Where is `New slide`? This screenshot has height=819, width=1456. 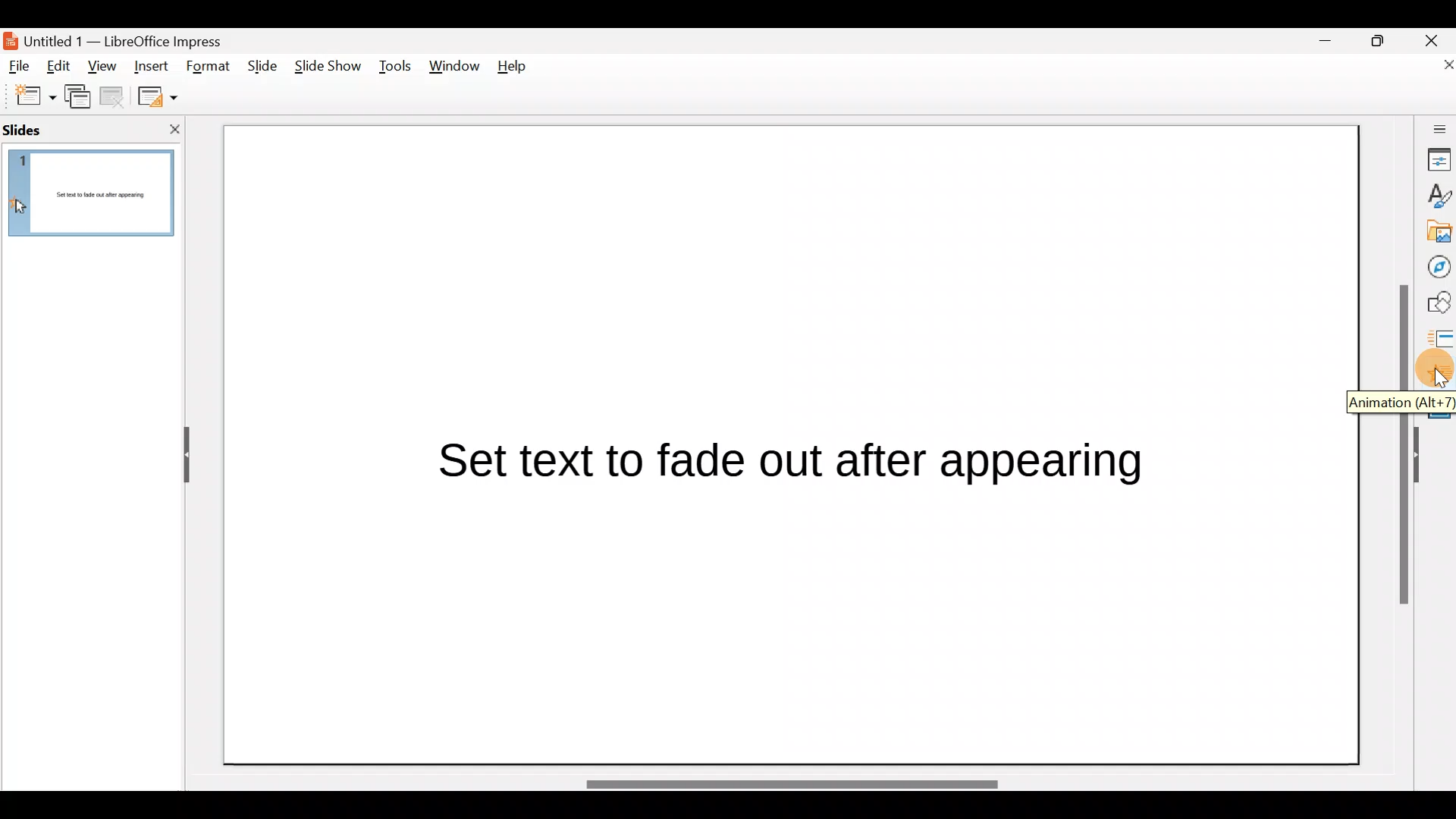
New slide is located at coordinates (28, 96).